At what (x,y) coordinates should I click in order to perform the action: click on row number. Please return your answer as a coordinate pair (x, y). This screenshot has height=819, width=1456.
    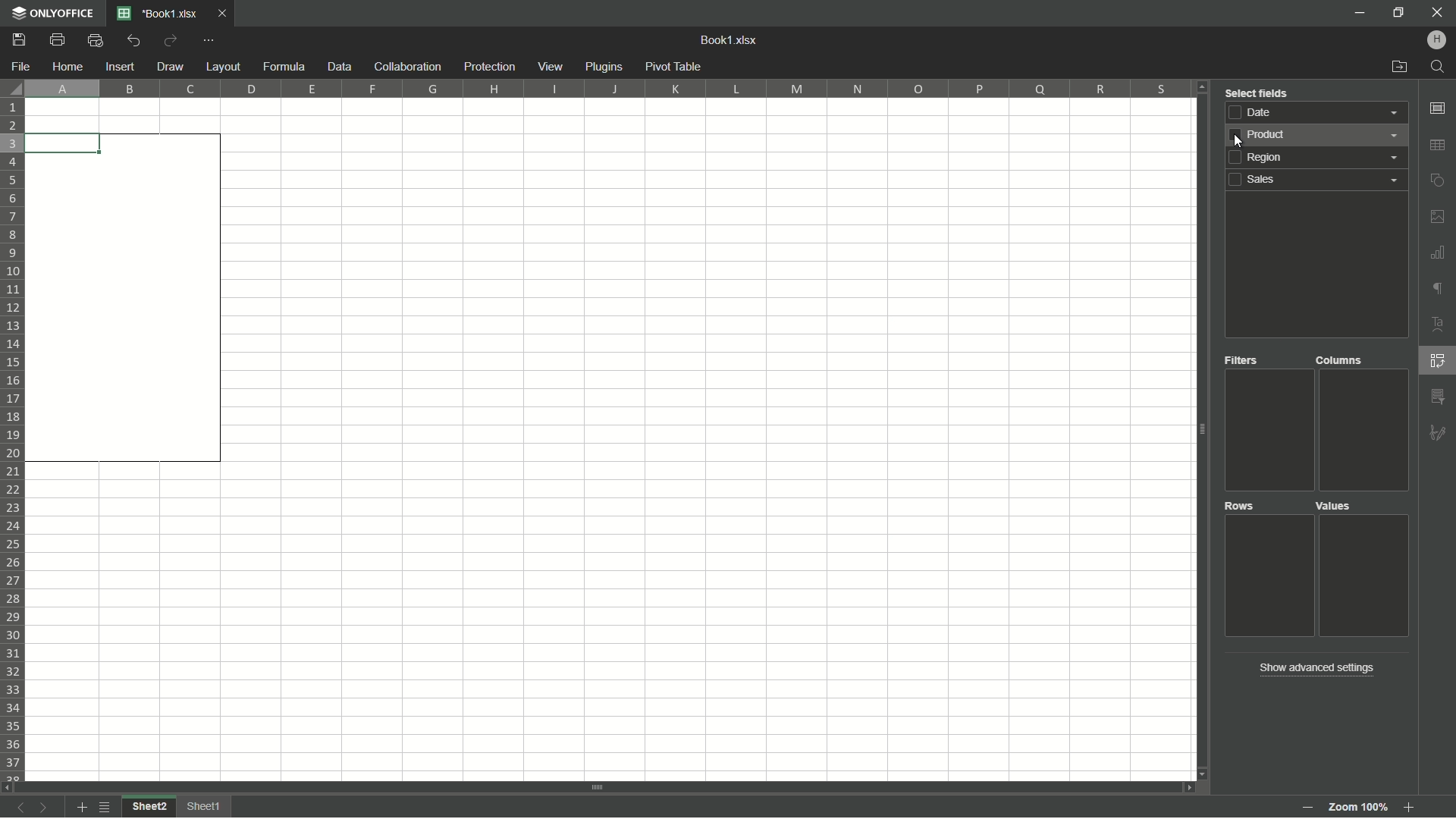
    Looking at the image, I should click on (14, 440).